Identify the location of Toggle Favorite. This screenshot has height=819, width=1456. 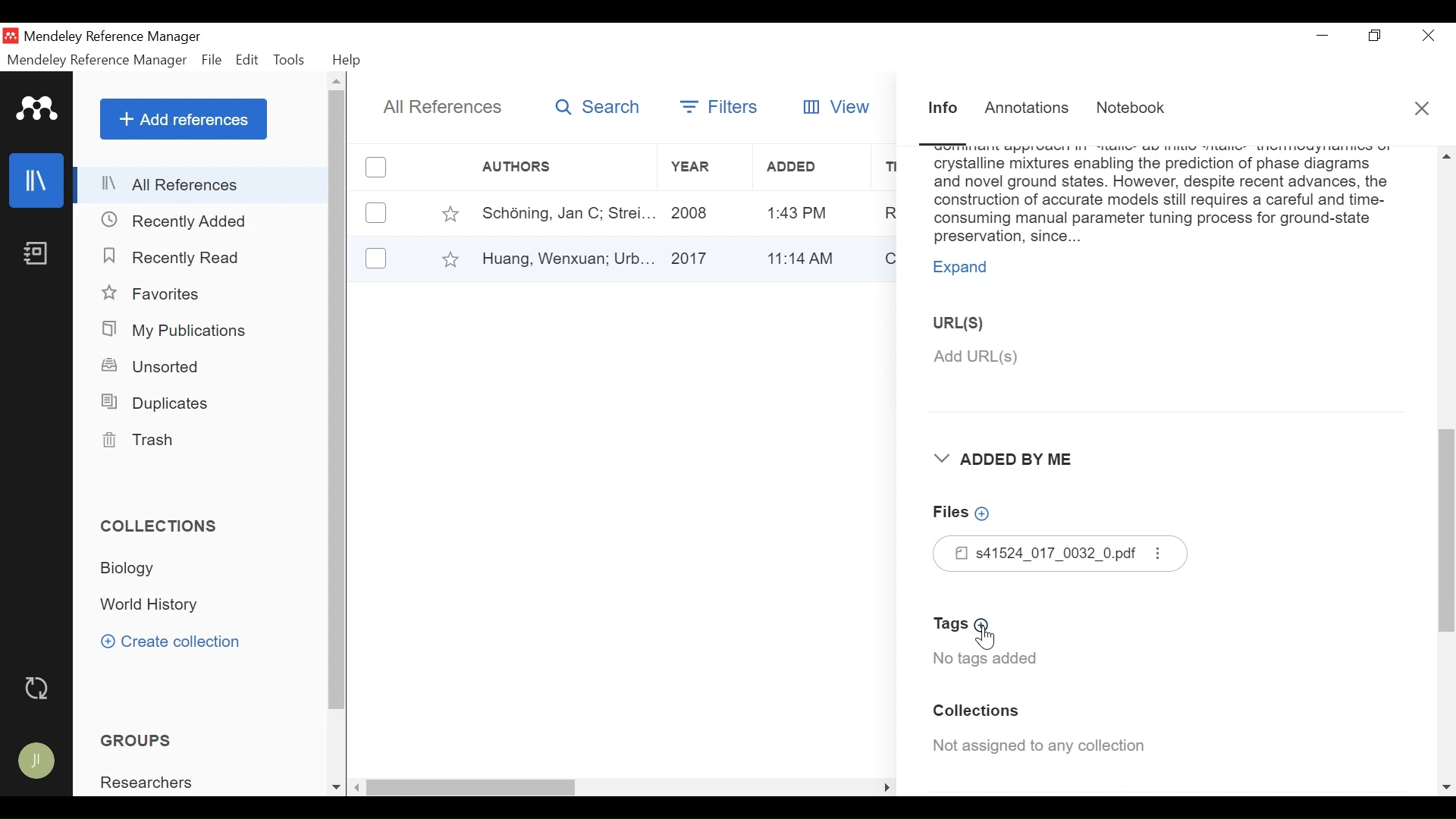
(450, 213).